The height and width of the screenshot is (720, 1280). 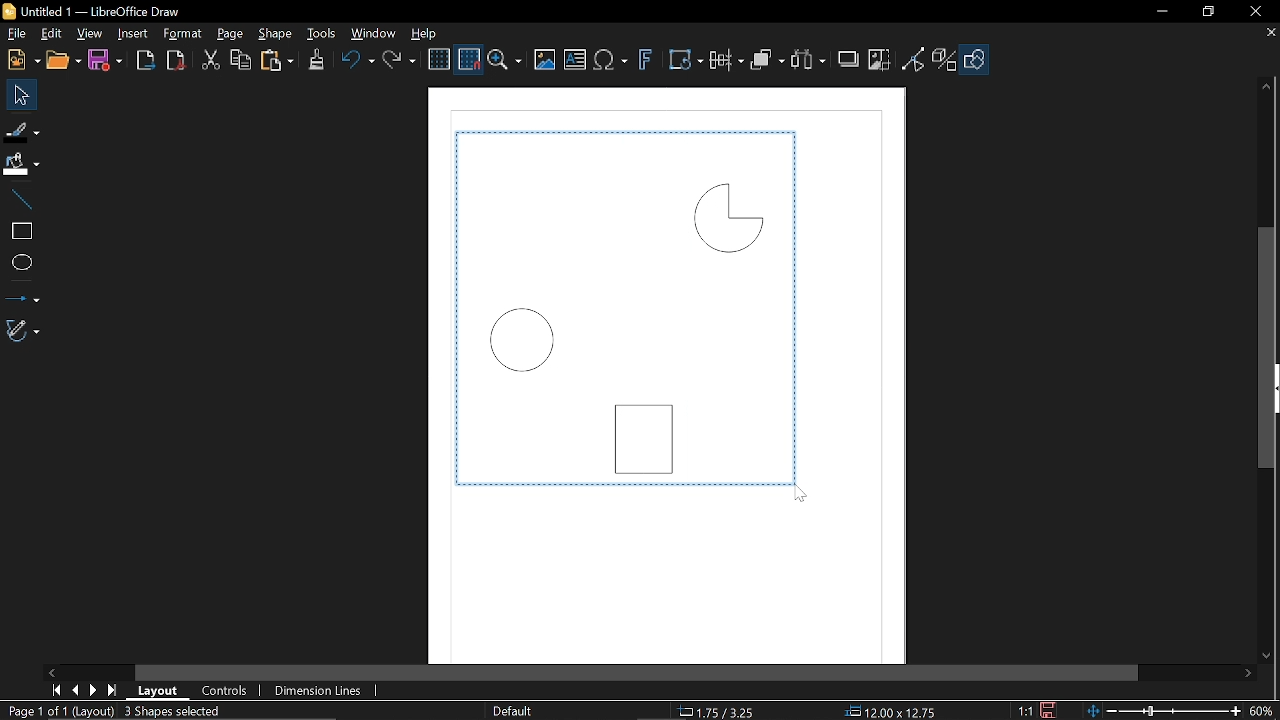 What do you see at coordinates (1167, 12) in the screenshot?
I see `Minimize` at bounding box center [1167, 12].